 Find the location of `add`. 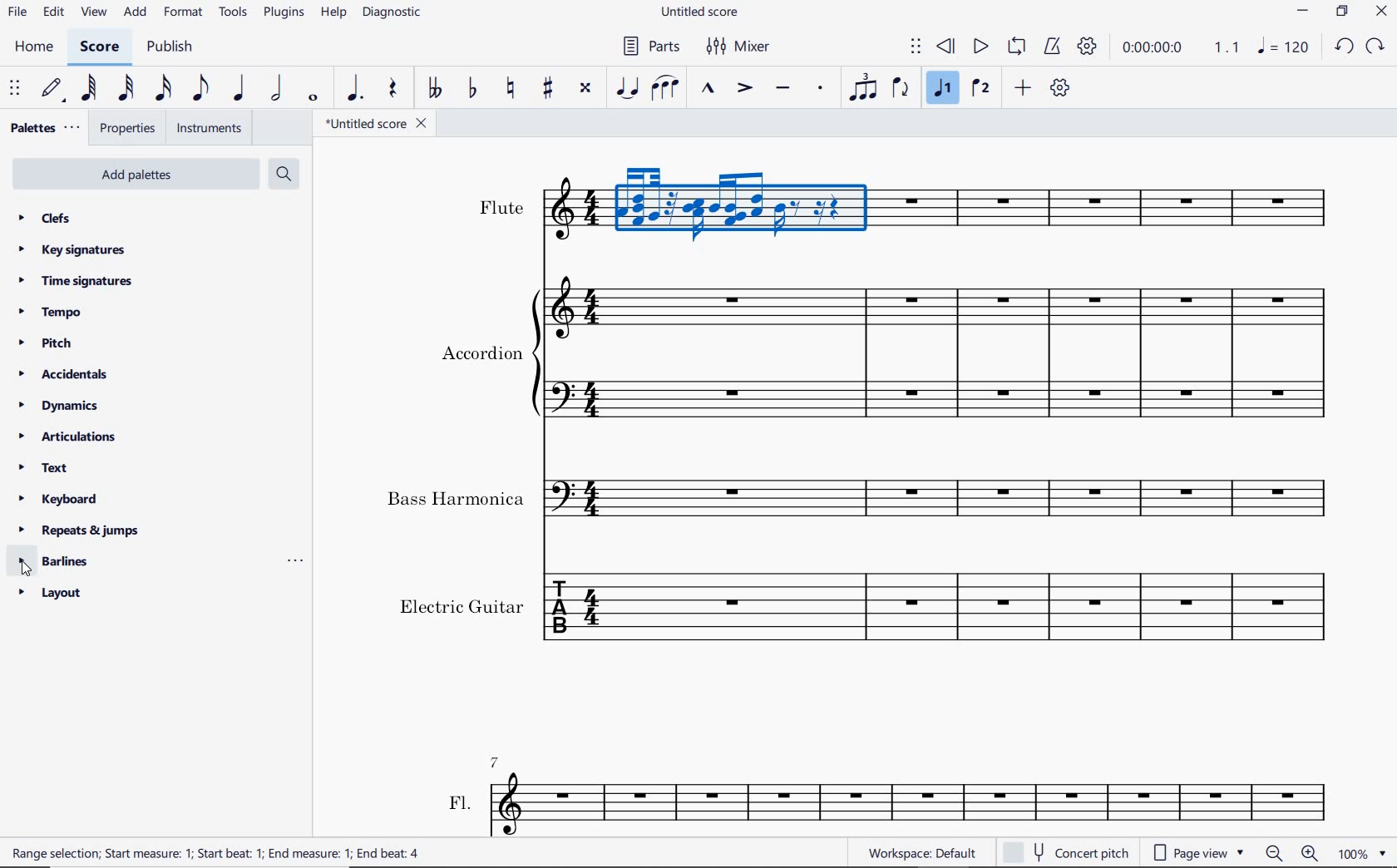

add is located at coordinates (1023, 87).